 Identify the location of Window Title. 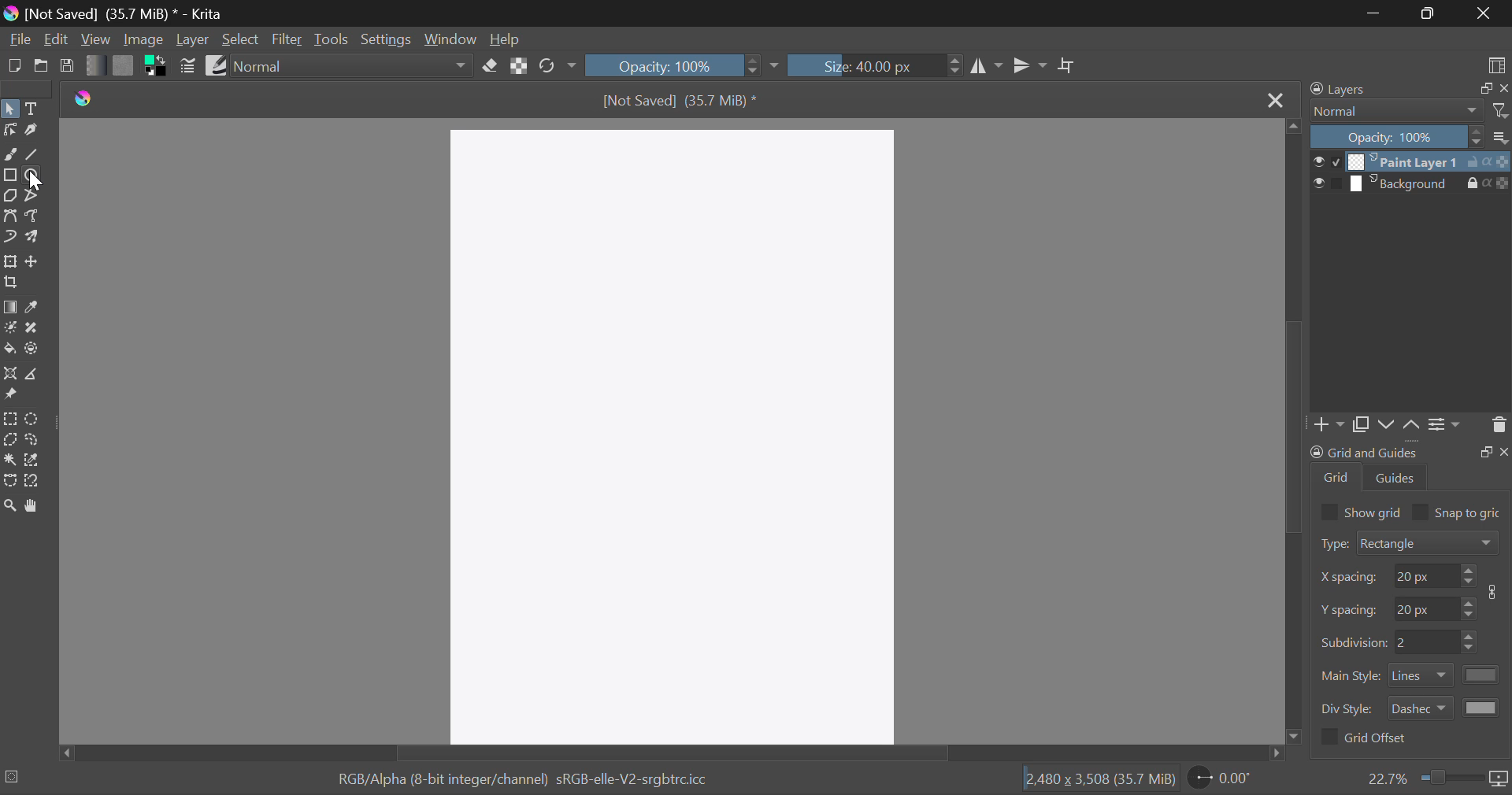
(115, 13).